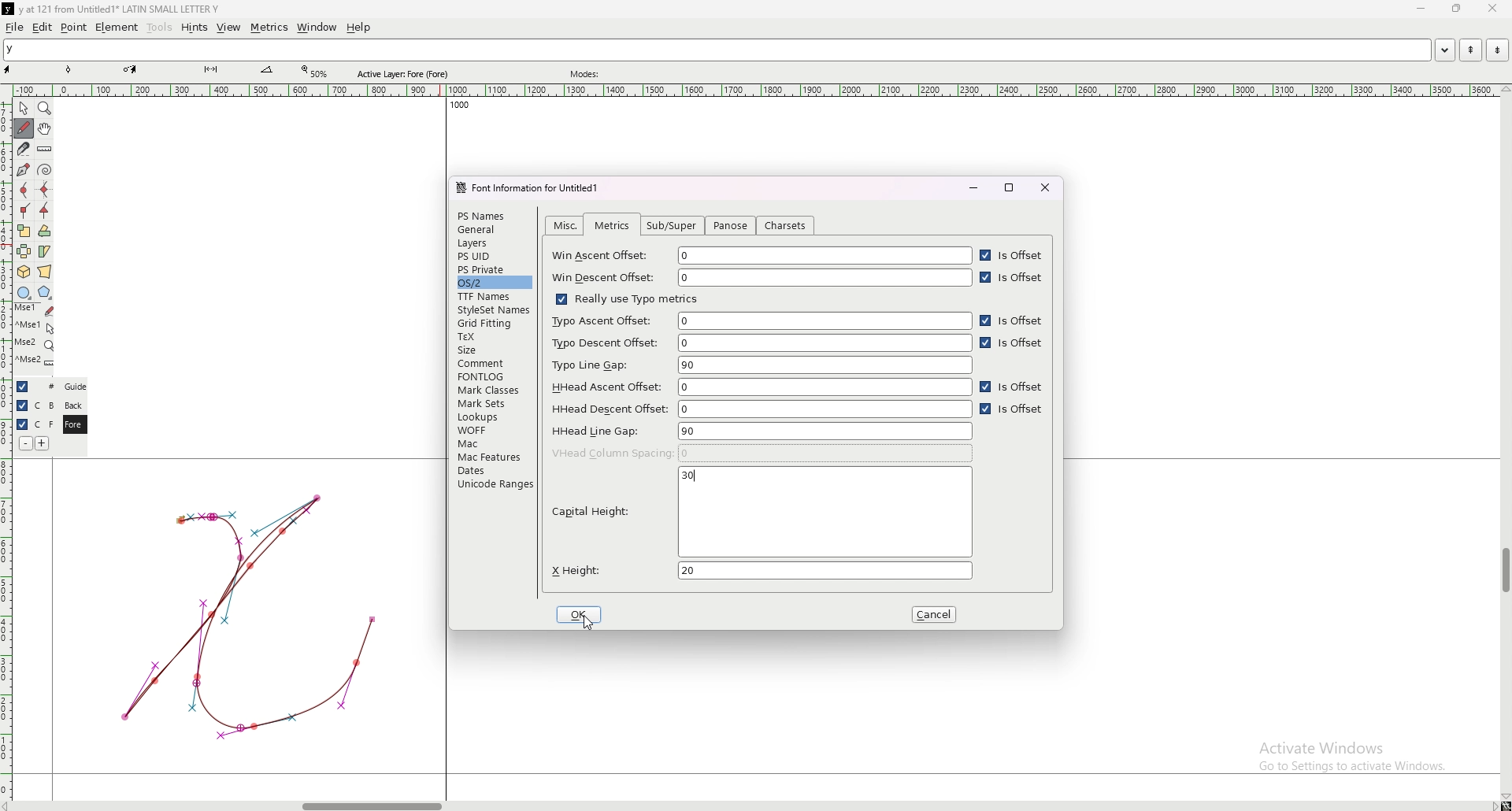 The image size is (1512, 811). Describe the element at coordinates (34, 344) in the screenshot. I see `mse 2` at that location.